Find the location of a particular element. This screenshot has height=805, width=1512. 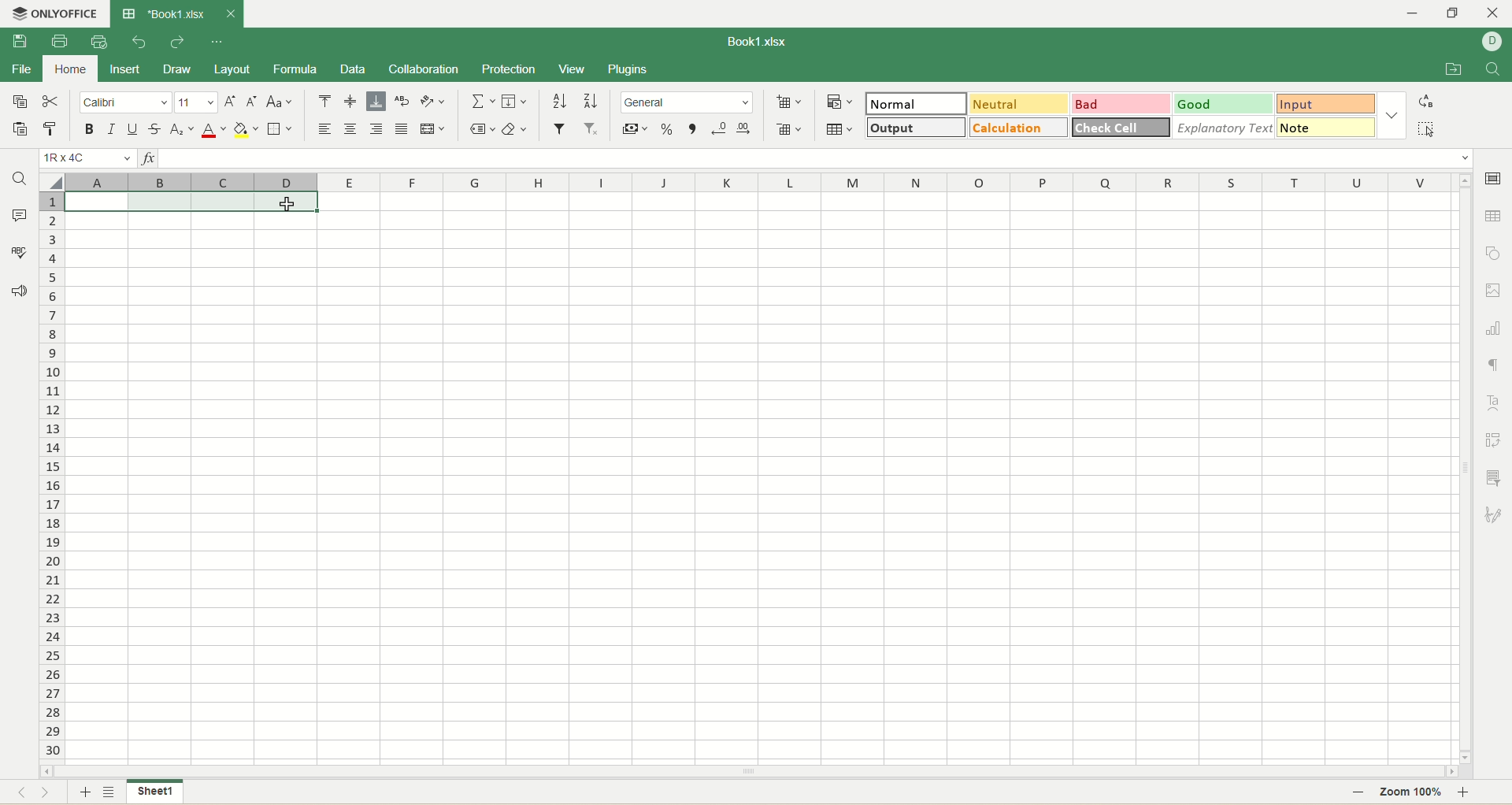

quick settings is located at coordinates (217, 44).